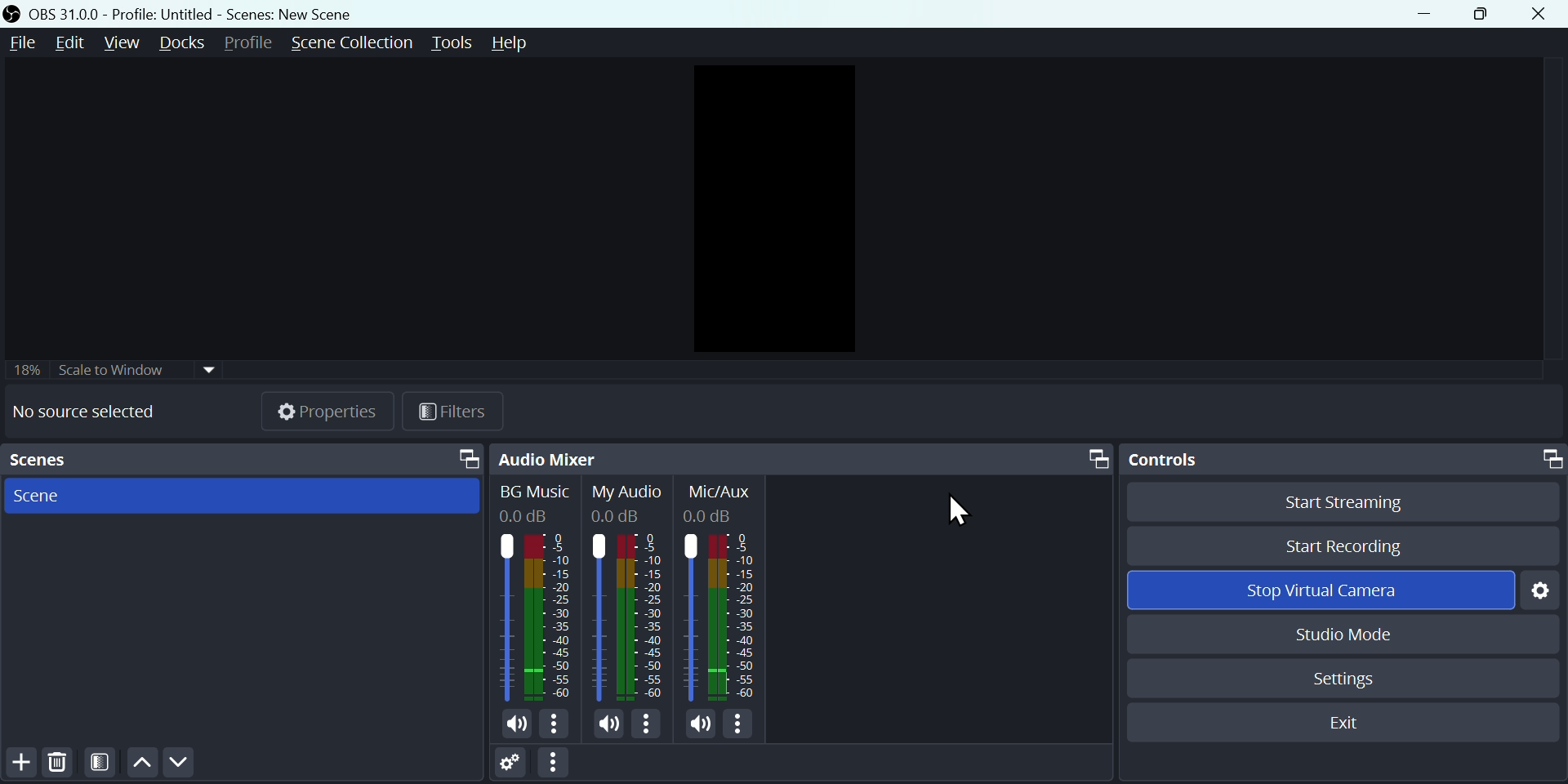  What do you see at coordinates (242, 461) in the screenshot?
I see `scenes` at bounding box center [242, 461].